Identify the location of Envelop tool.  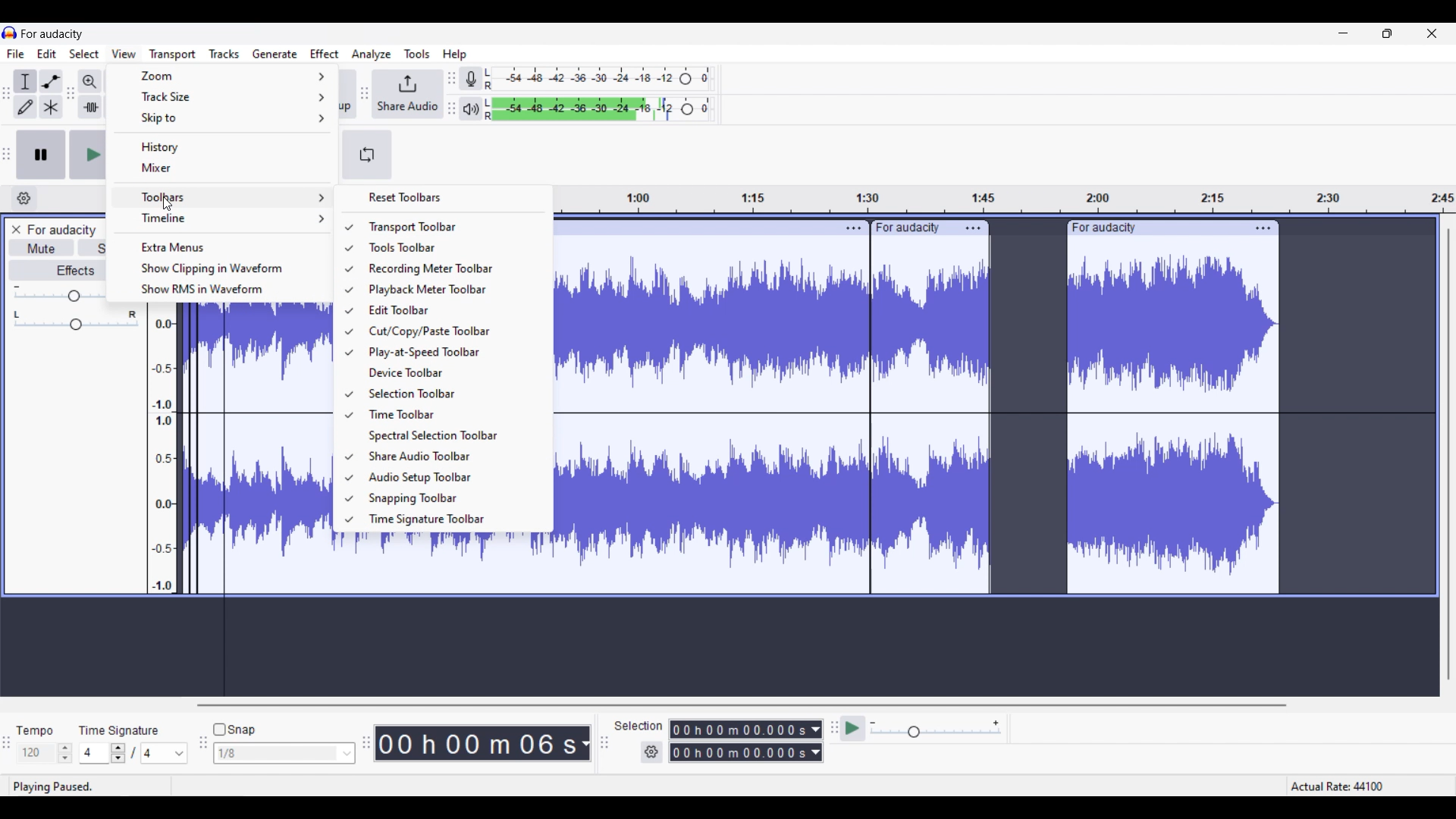
(51, 81).